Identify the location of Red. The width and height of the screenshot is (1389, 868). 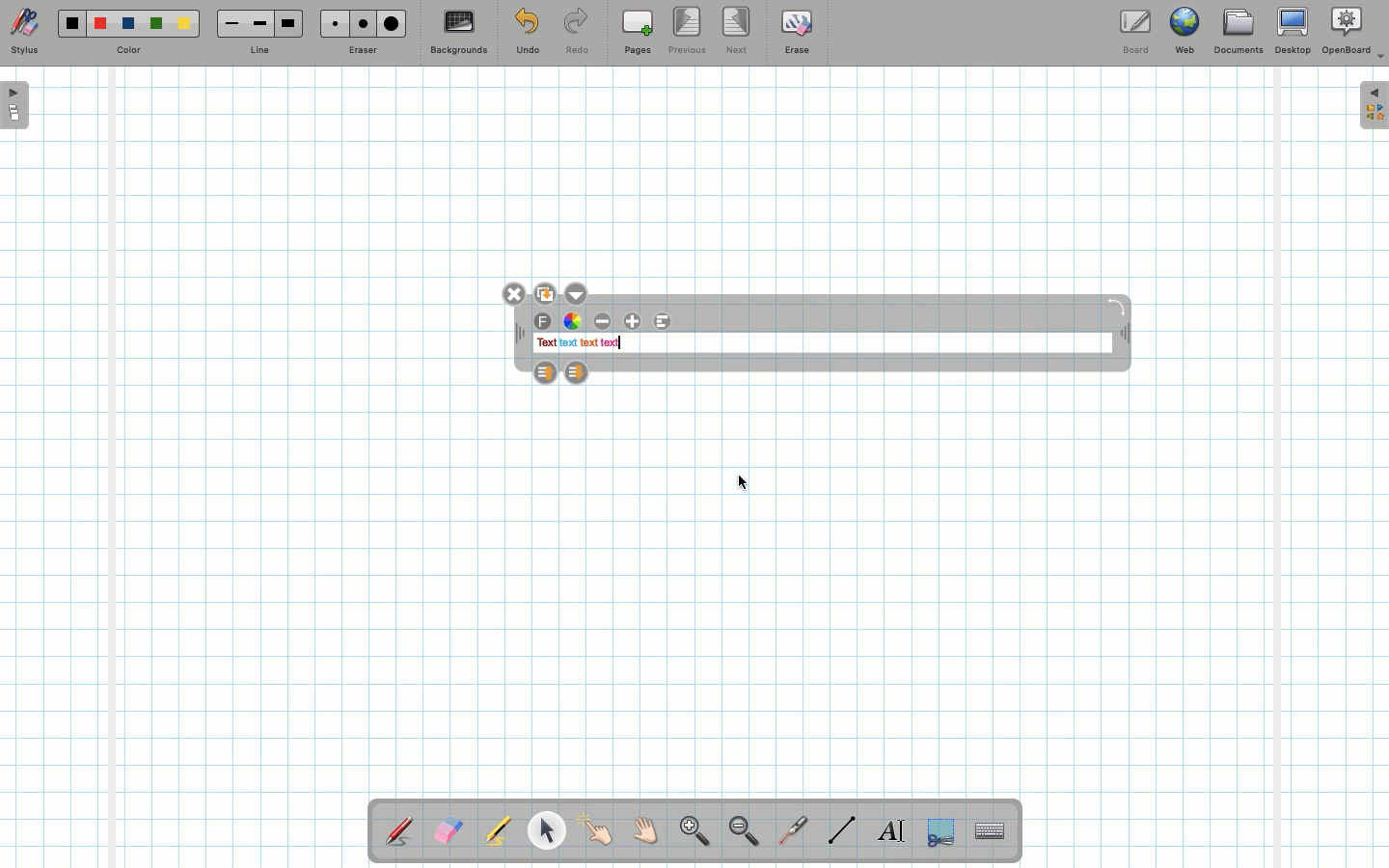
(101, 24).